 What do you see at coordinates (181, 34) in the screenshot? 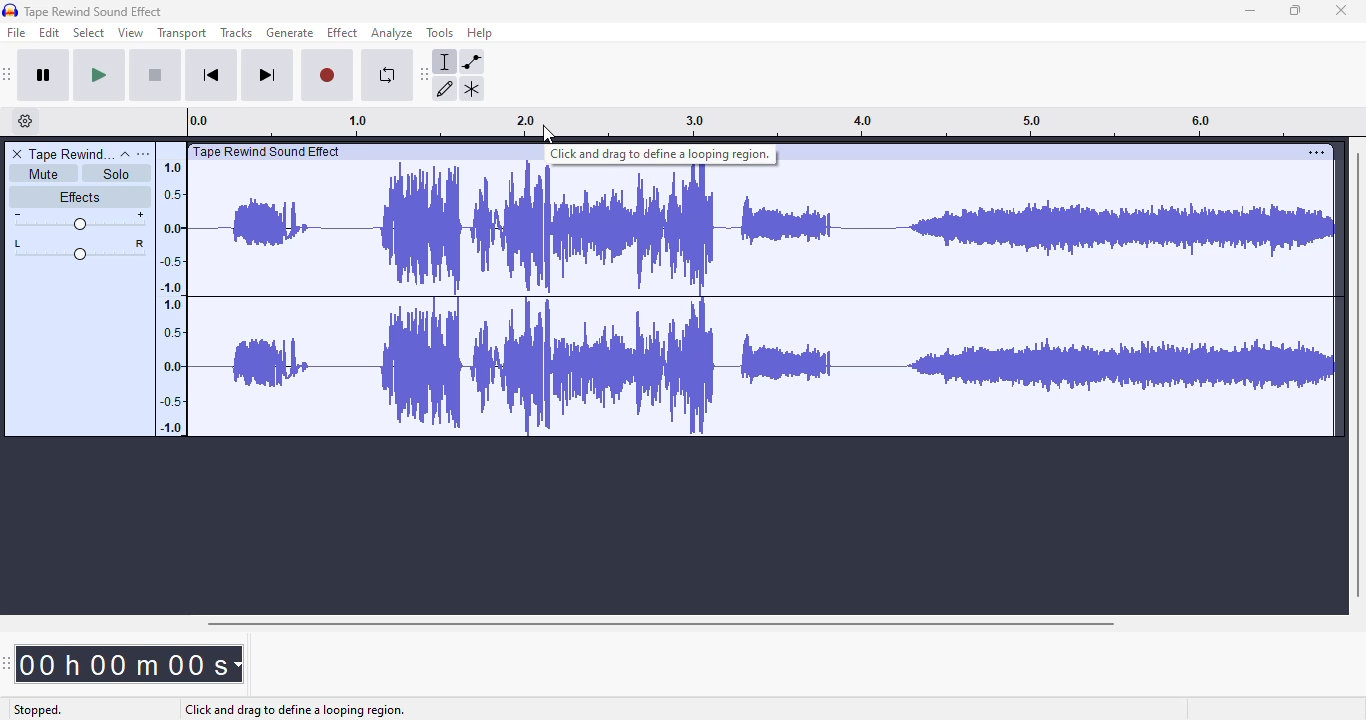
I see `transport` at bounding box center [181, 34].